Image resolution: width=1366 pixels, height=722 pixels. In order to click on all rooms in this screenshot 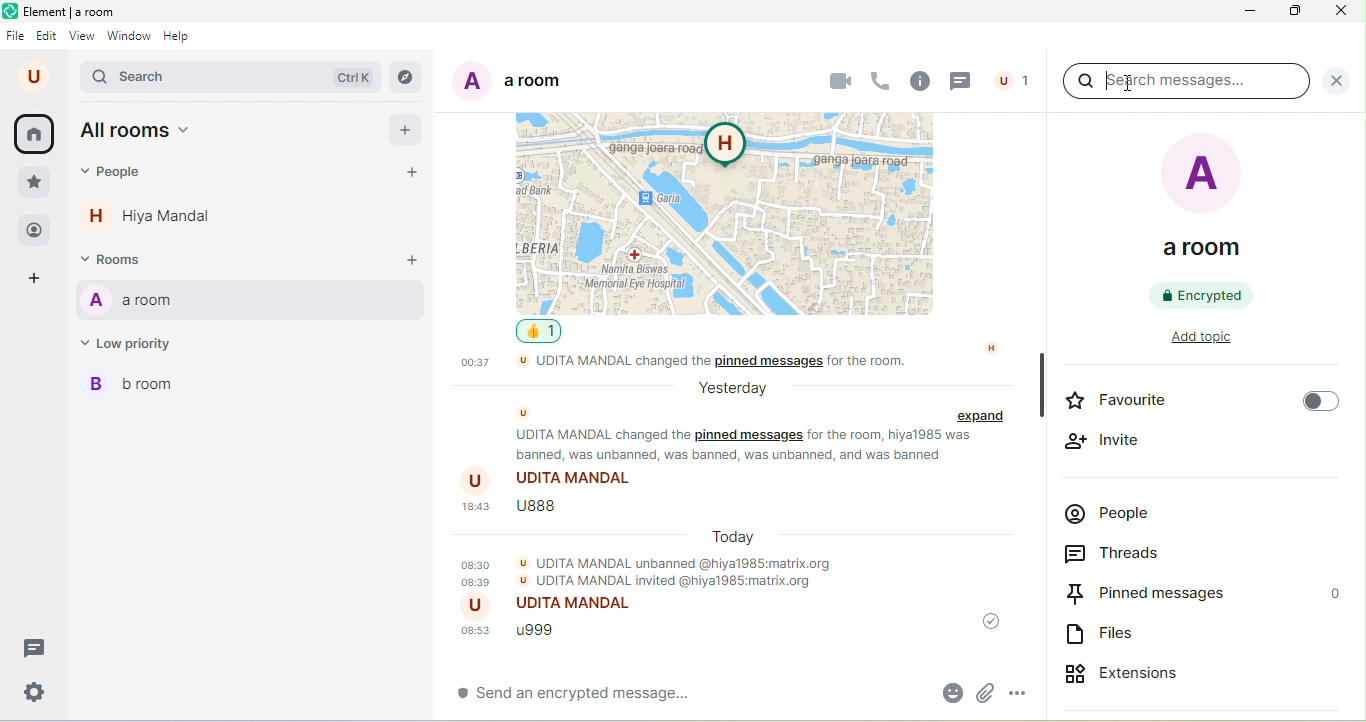, I will do `click(141, 133)`.